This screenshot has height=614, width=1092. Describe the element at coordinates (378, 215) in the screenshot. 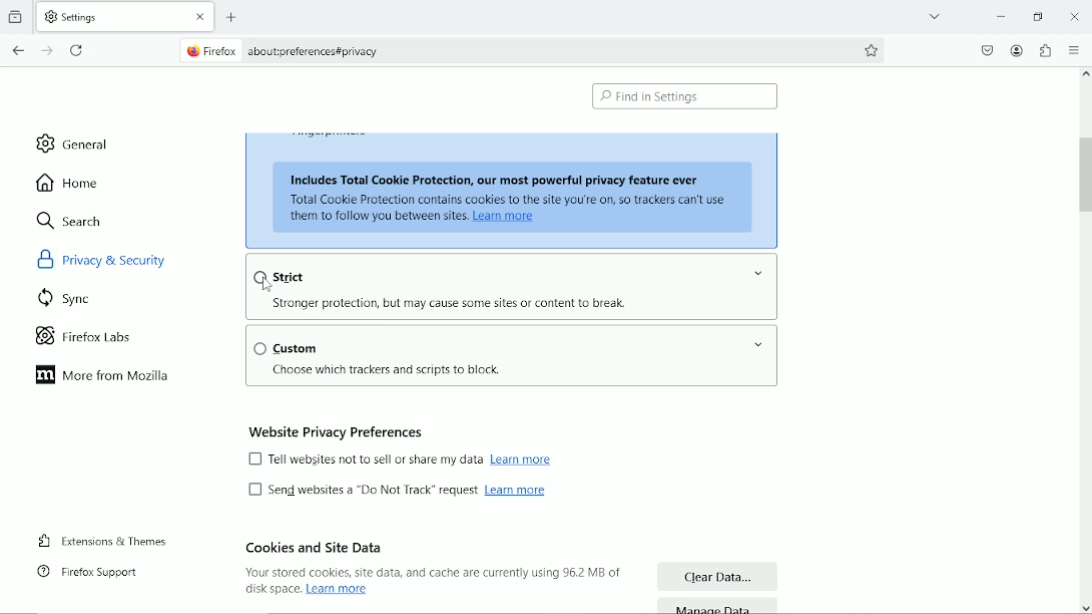

I see `text` at that location.